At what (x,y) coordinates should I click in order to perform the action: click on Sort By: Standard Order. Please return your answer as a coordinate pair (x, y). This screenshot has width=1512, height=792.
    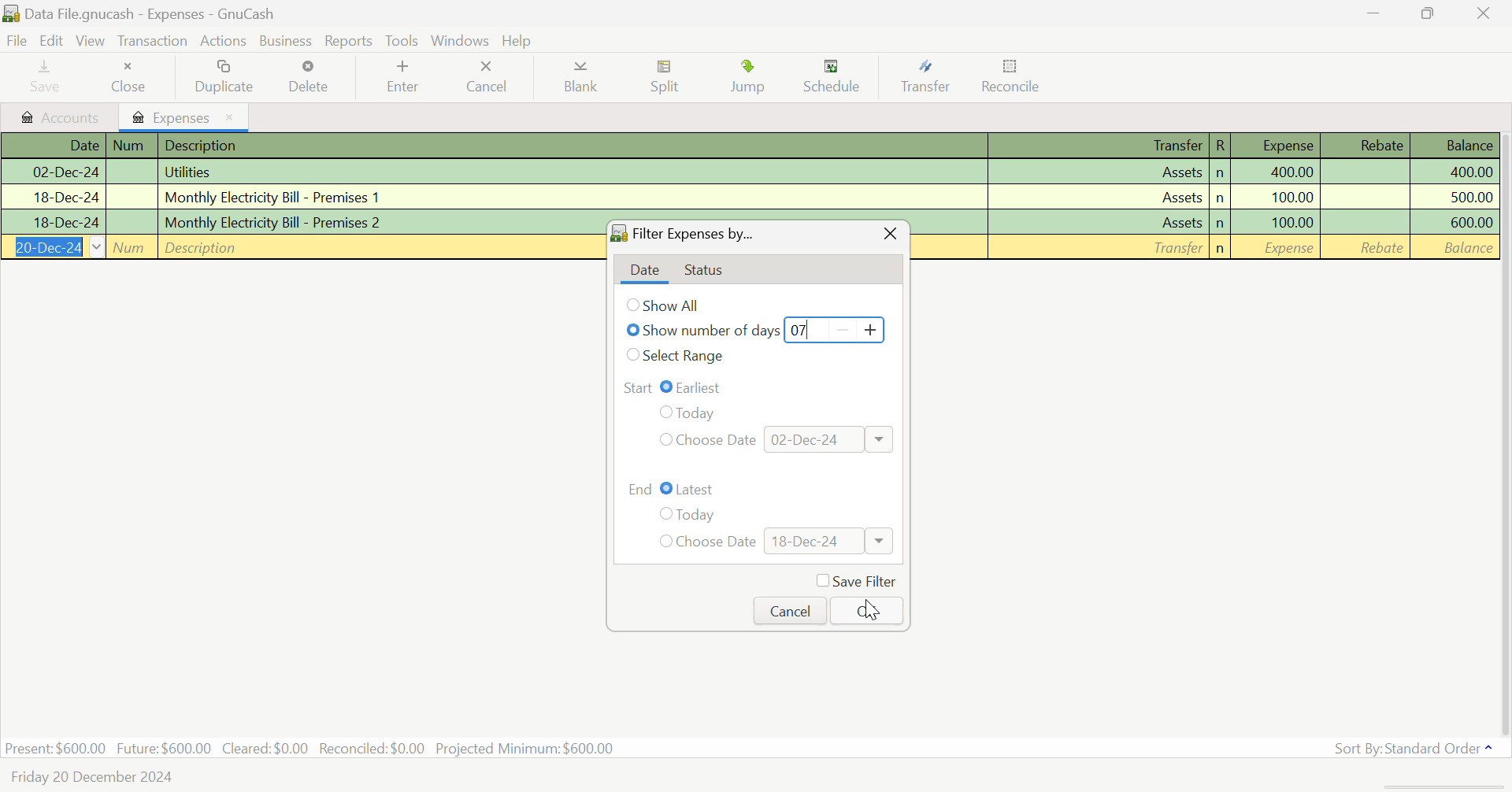
    Looking at the image, I should click on (1421, 747).